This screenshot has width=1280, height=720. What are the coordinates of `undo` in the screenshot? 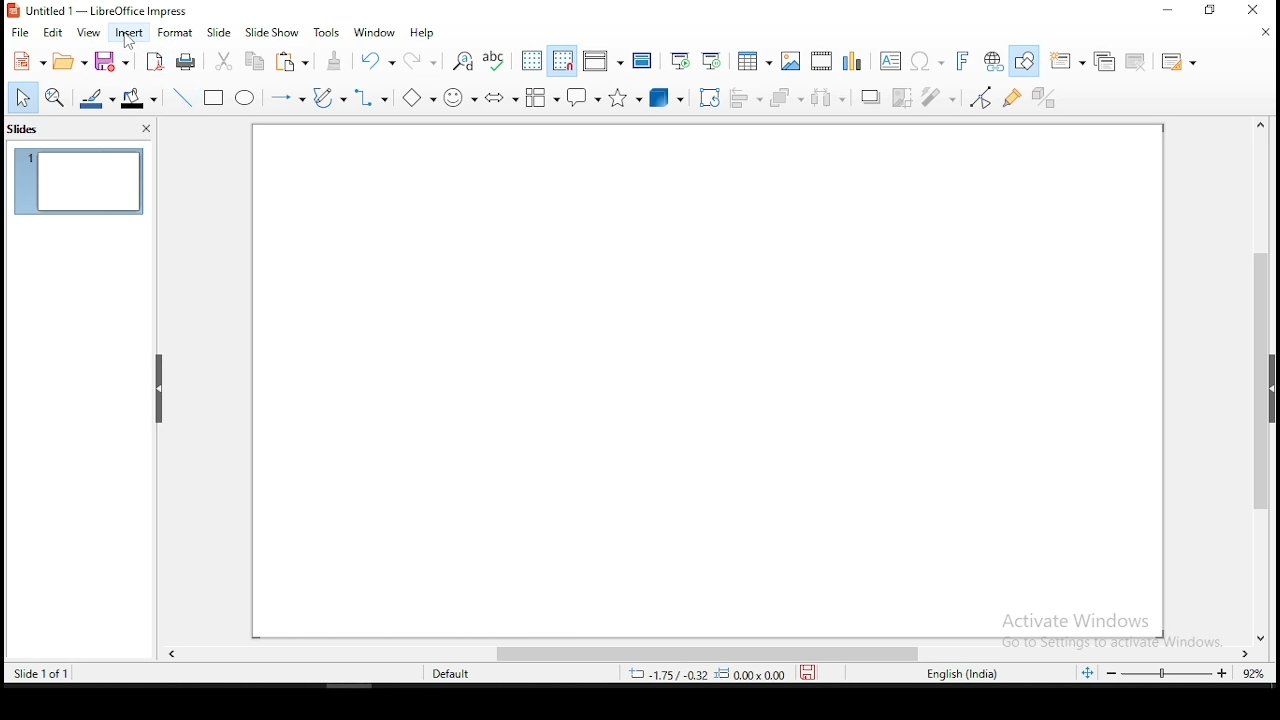 It's located at (379, 60).